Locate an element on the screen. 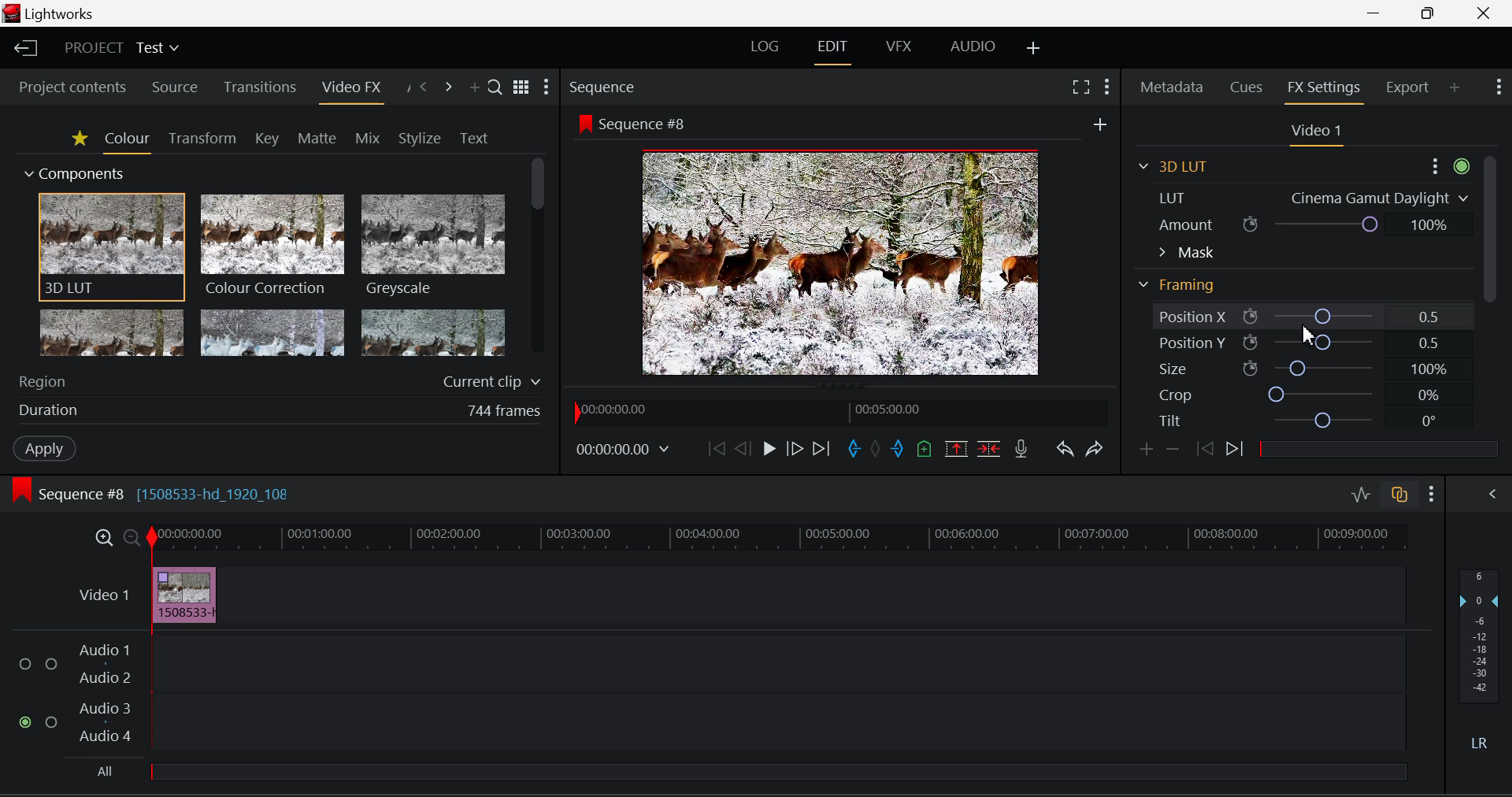 This screenshot has height=797, width=1512. Transitions is located at coordinates (261, 87).